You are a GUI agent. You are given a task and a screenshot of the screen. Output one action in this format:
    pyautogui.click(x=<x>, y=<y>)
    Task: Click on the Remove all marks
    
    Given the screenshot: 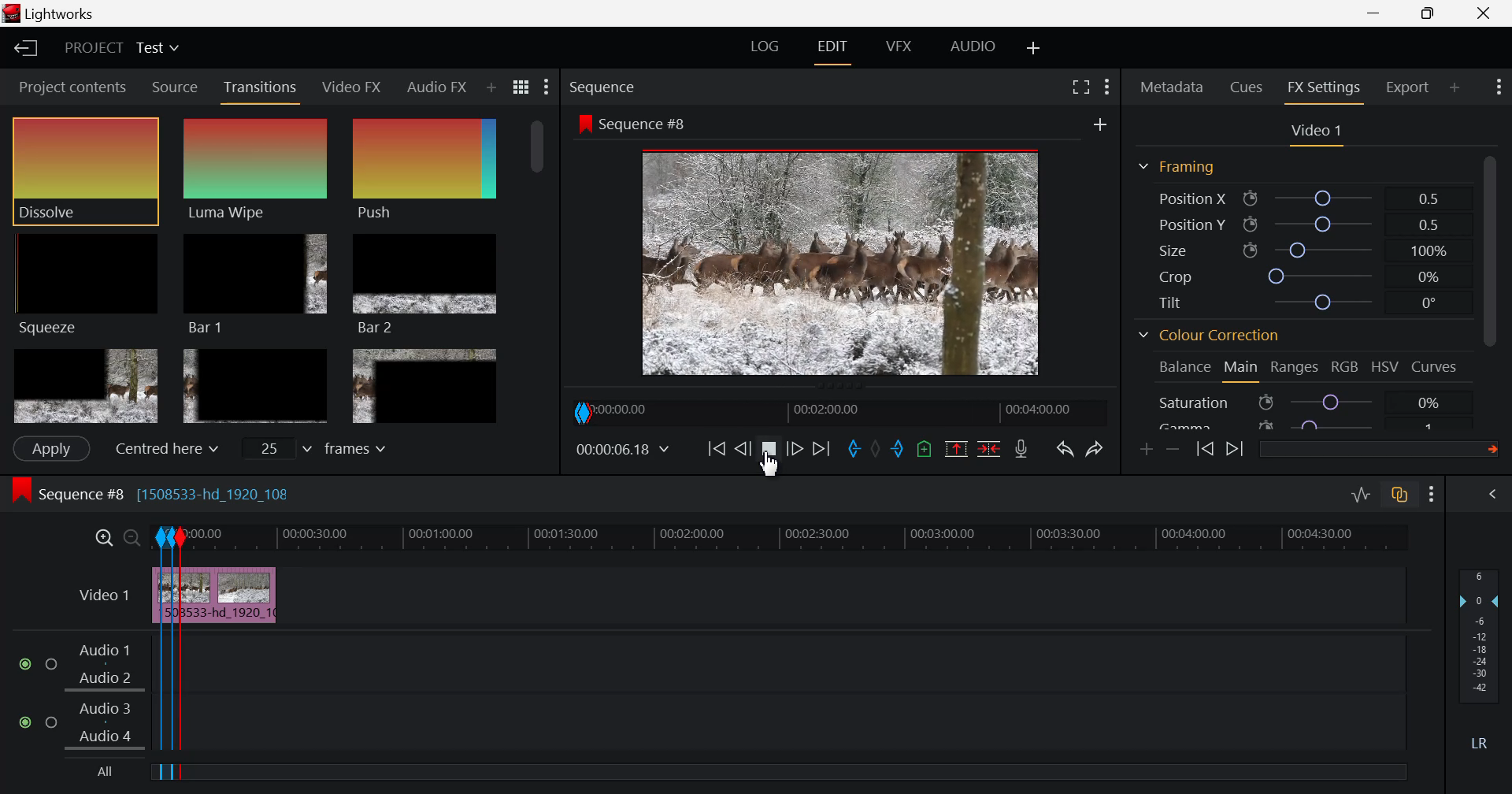 What is the action you would take?
    pyautogui.click(x=875, y=448)
    